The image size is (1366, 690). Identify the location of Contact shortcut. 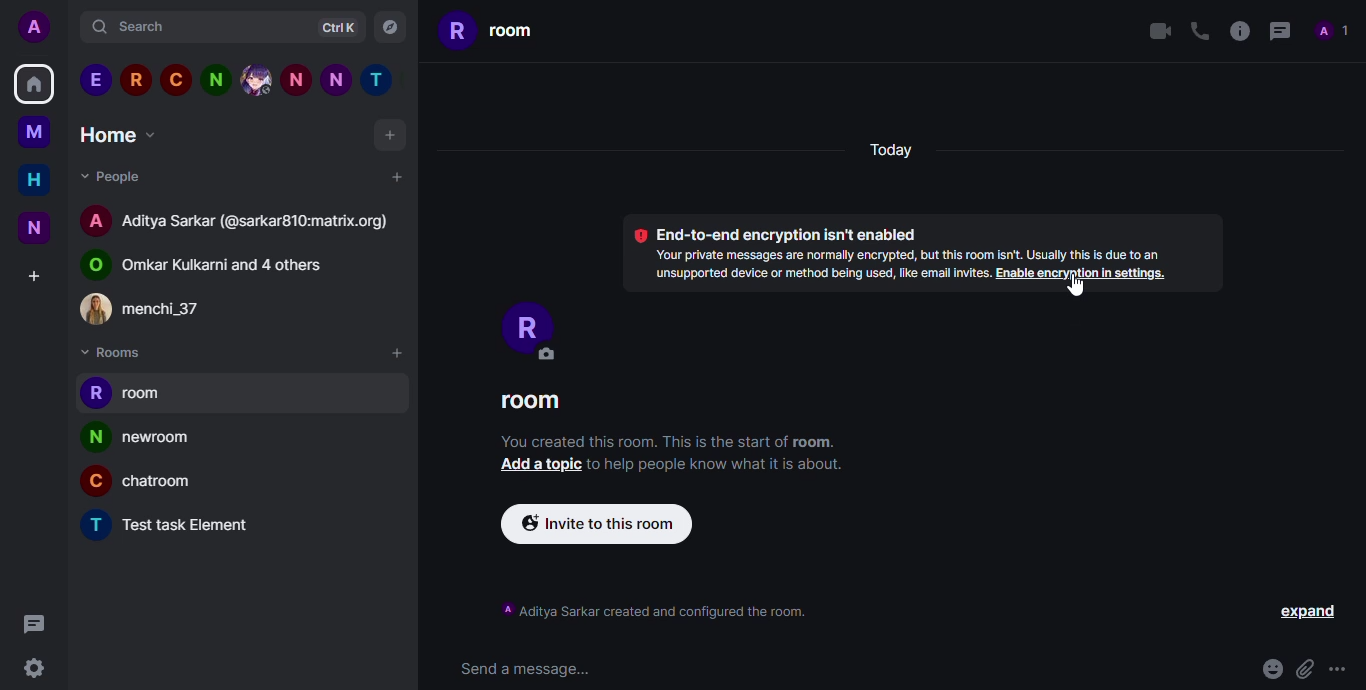
(257, 78).